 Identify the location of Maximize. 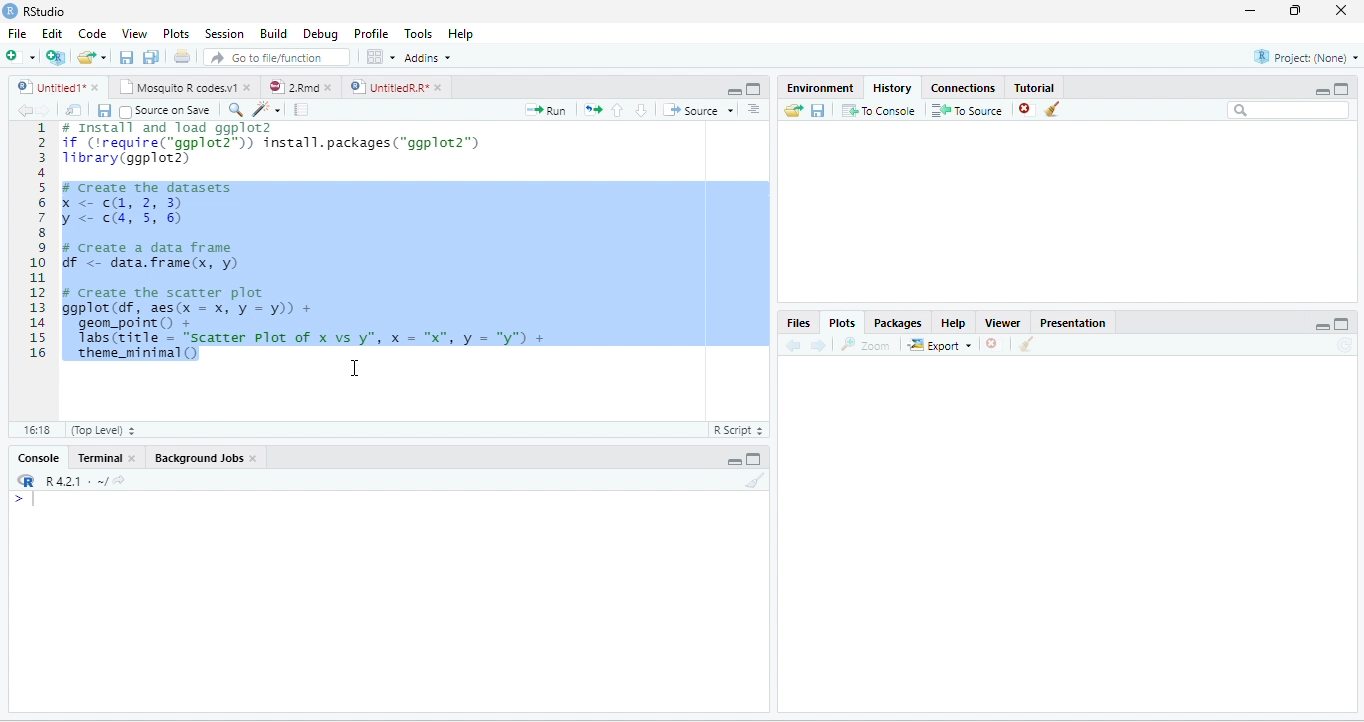
(755, 89).